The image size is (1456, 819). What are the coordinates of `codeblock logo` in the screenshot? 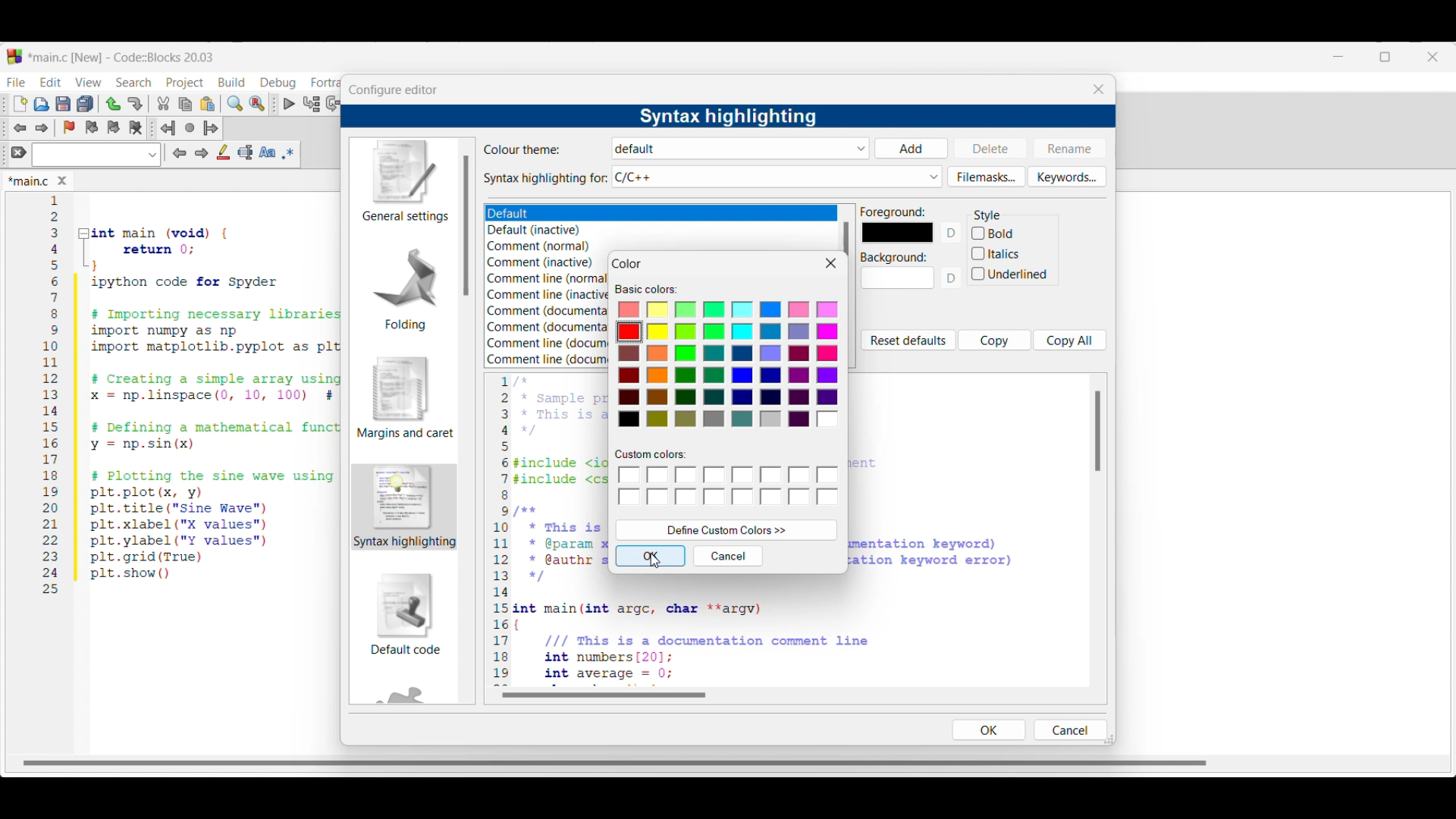 It's located at (14, 57).